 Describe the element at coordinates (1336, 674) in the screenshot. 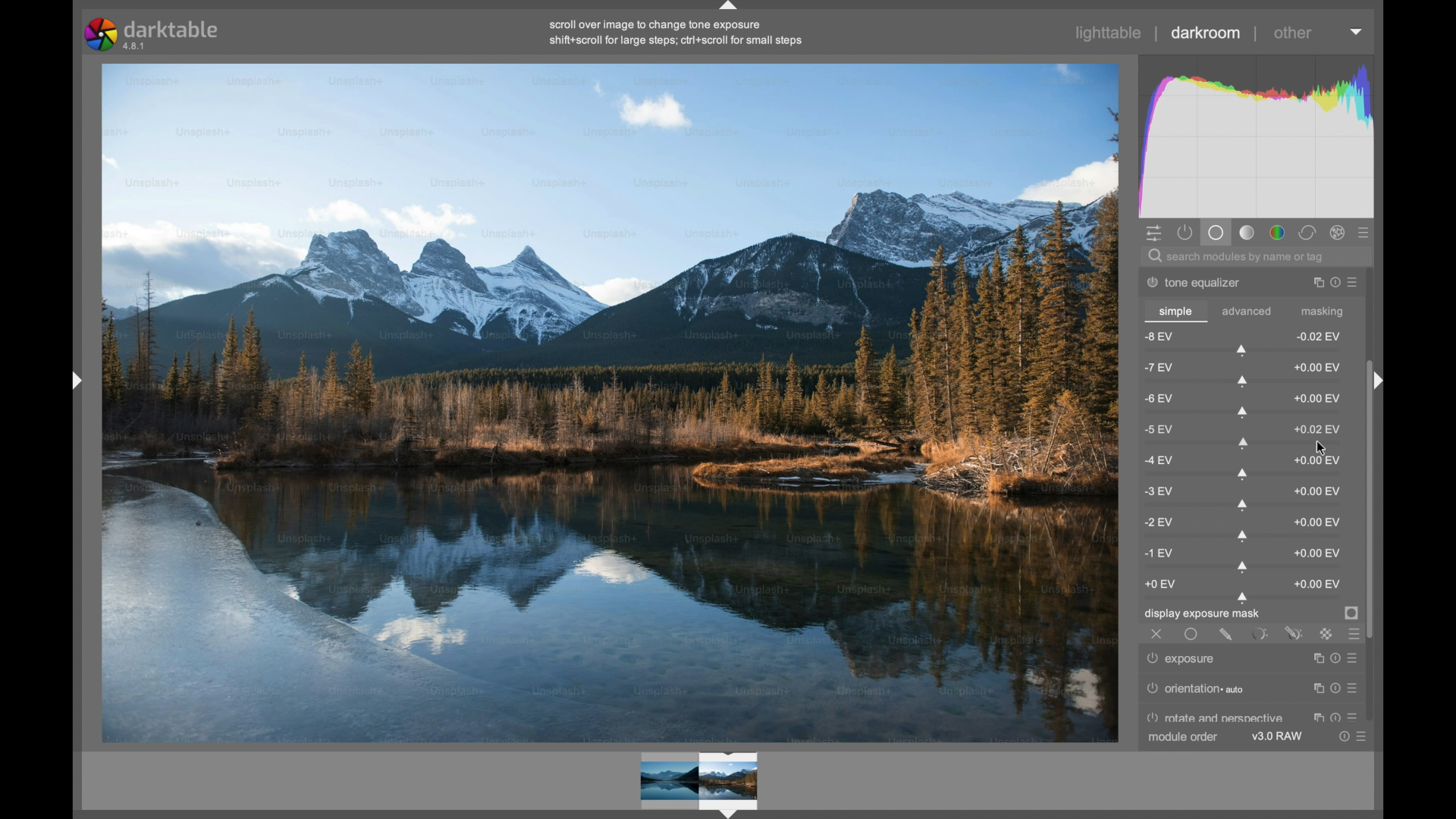

I see `Reset parameter` at that location.